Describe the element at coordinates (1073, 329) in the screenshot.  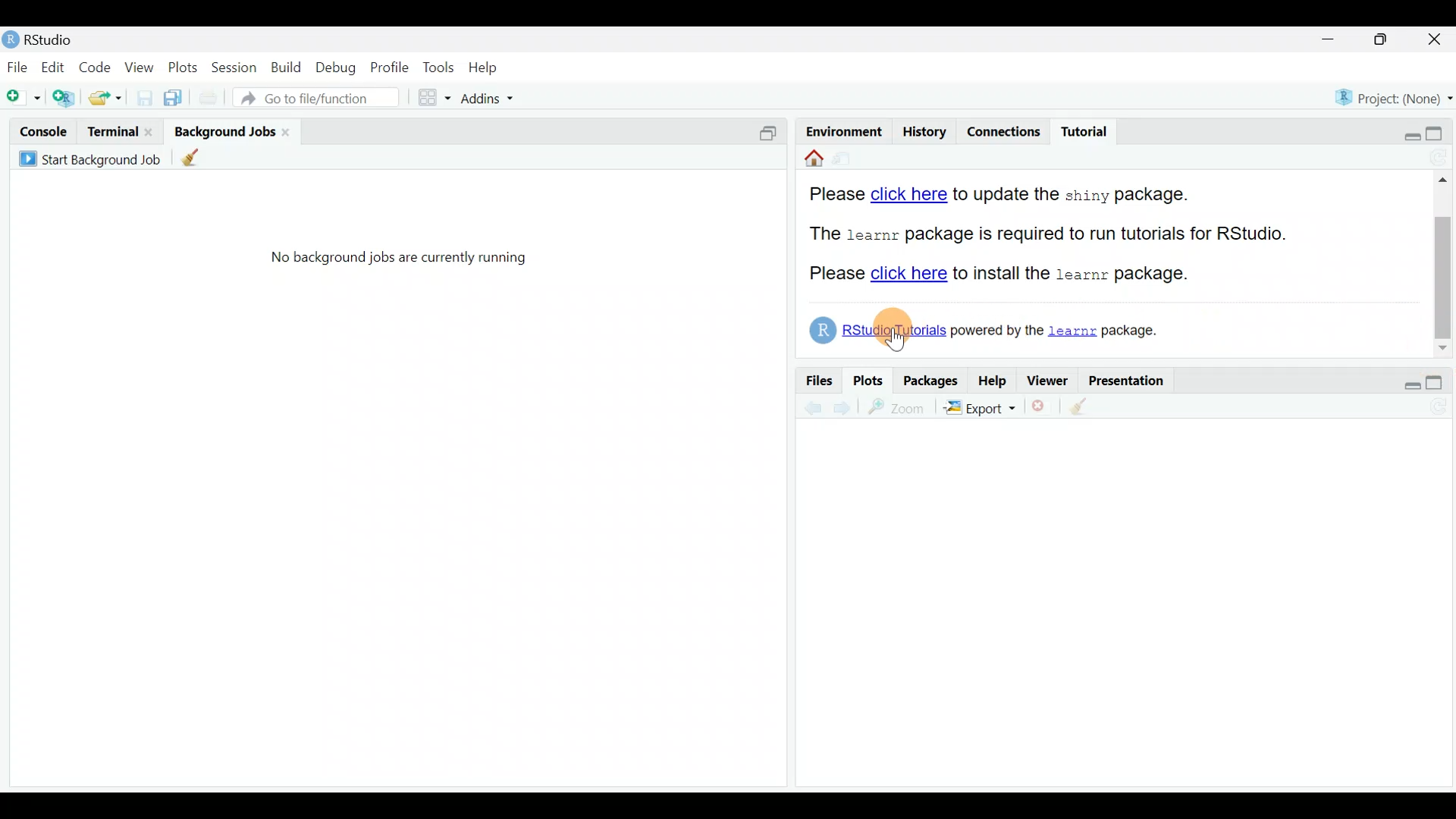
I see `learnr` at that location.